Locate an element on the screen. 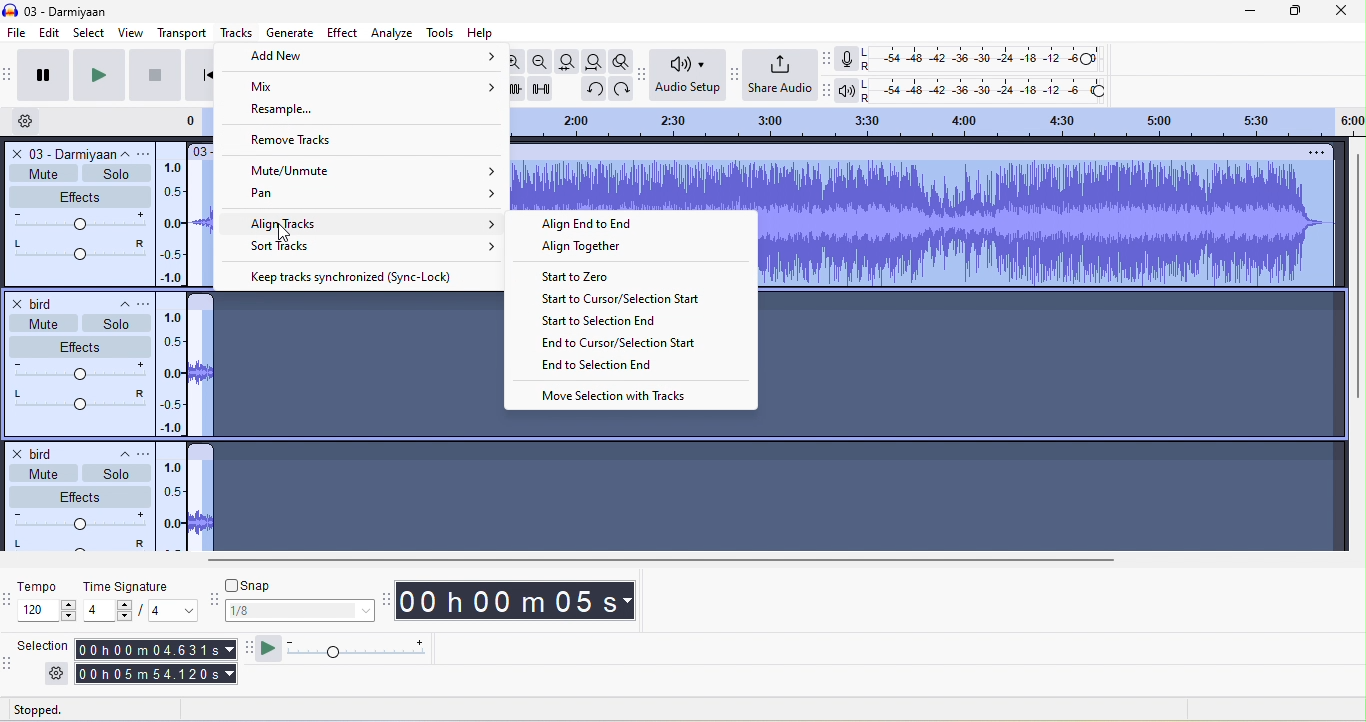 Image resolution: width=1366 pixels, height=722 pixels. align together is located at coordinates (596, 251).